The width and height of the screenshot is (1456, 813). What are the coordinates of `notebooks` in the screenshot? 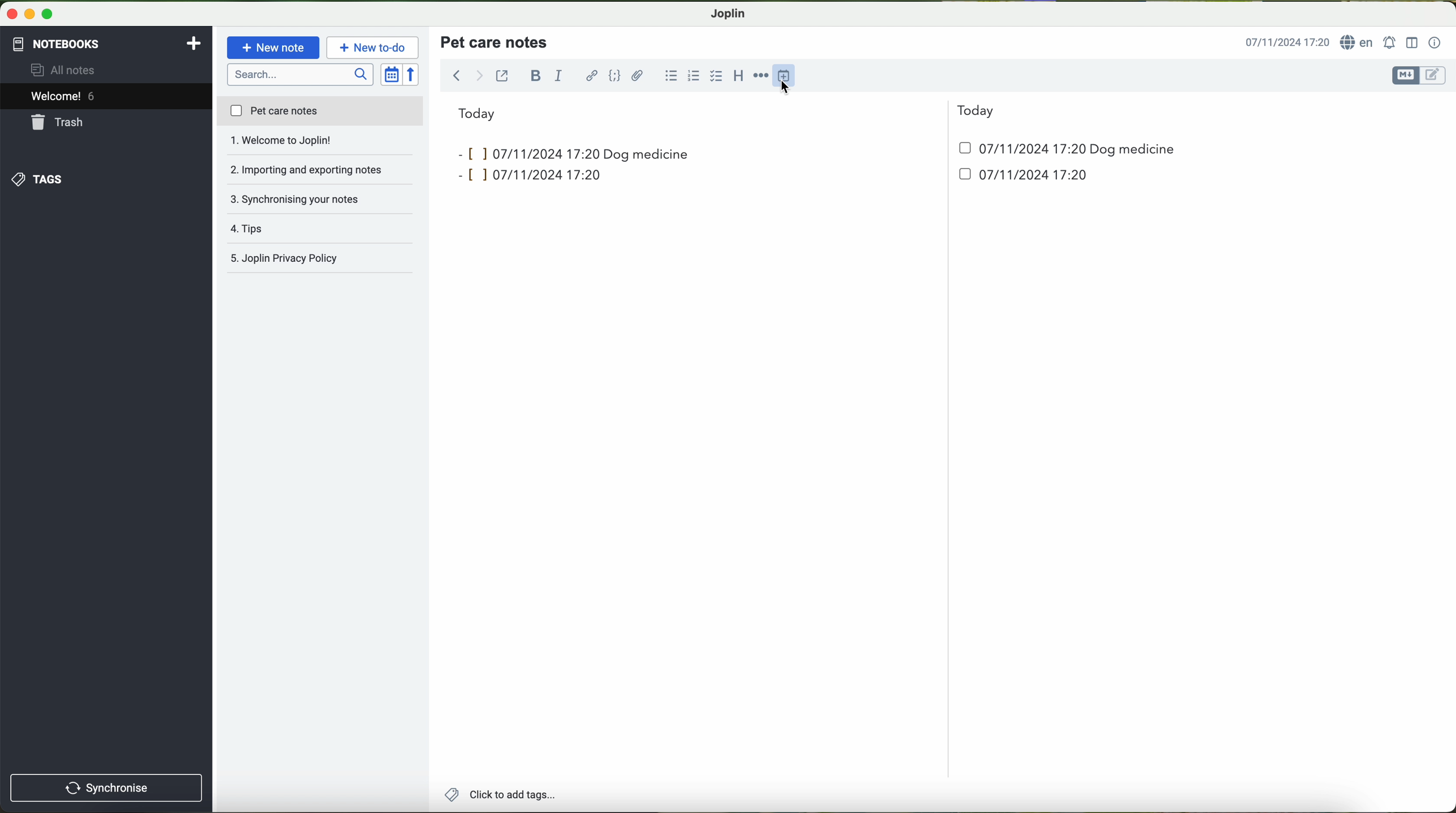 It's located at (55, 42).